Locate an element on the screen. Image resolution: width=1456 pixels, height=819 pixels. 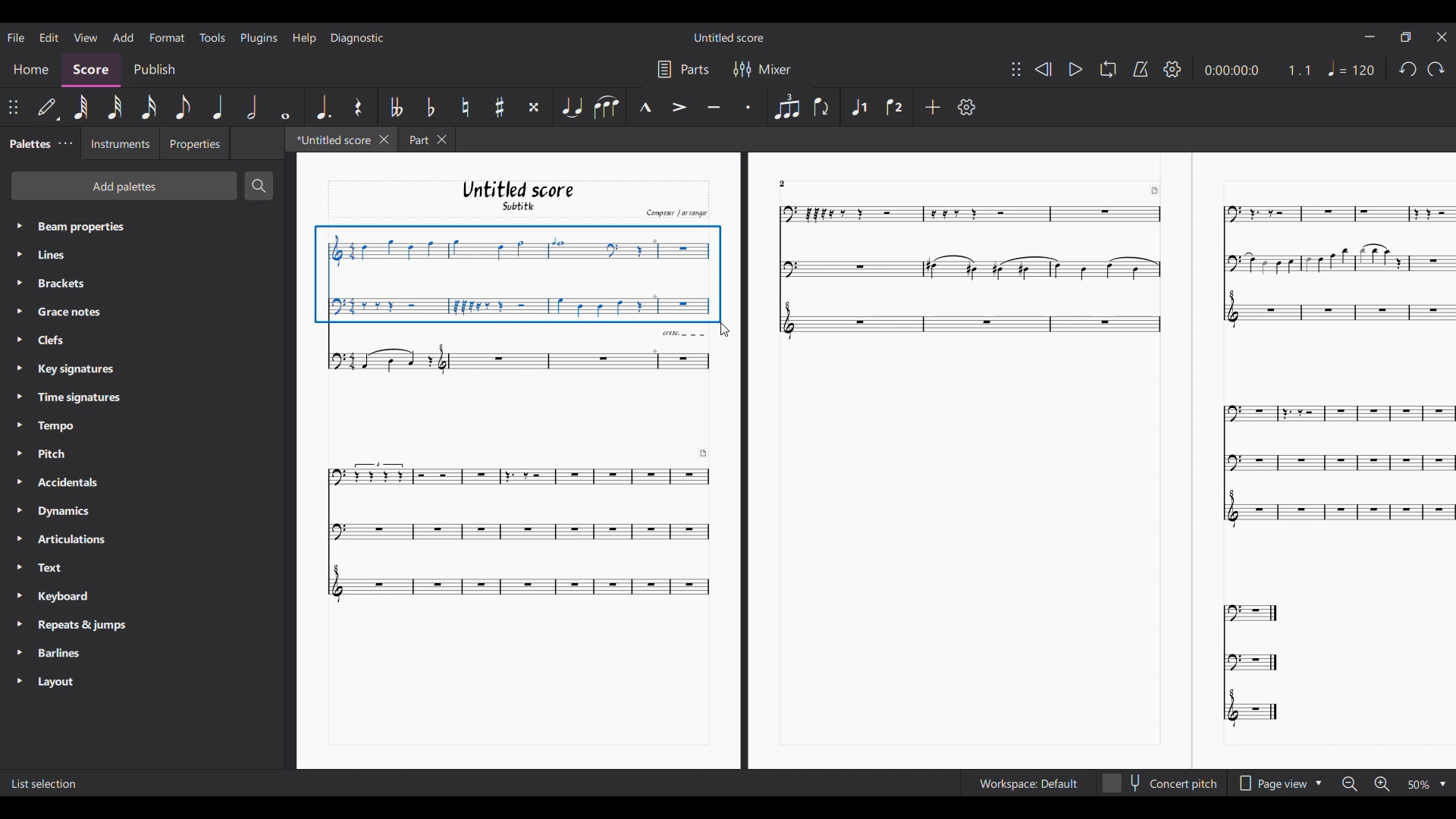
Zoom in is located at coordinates (1381, 784).